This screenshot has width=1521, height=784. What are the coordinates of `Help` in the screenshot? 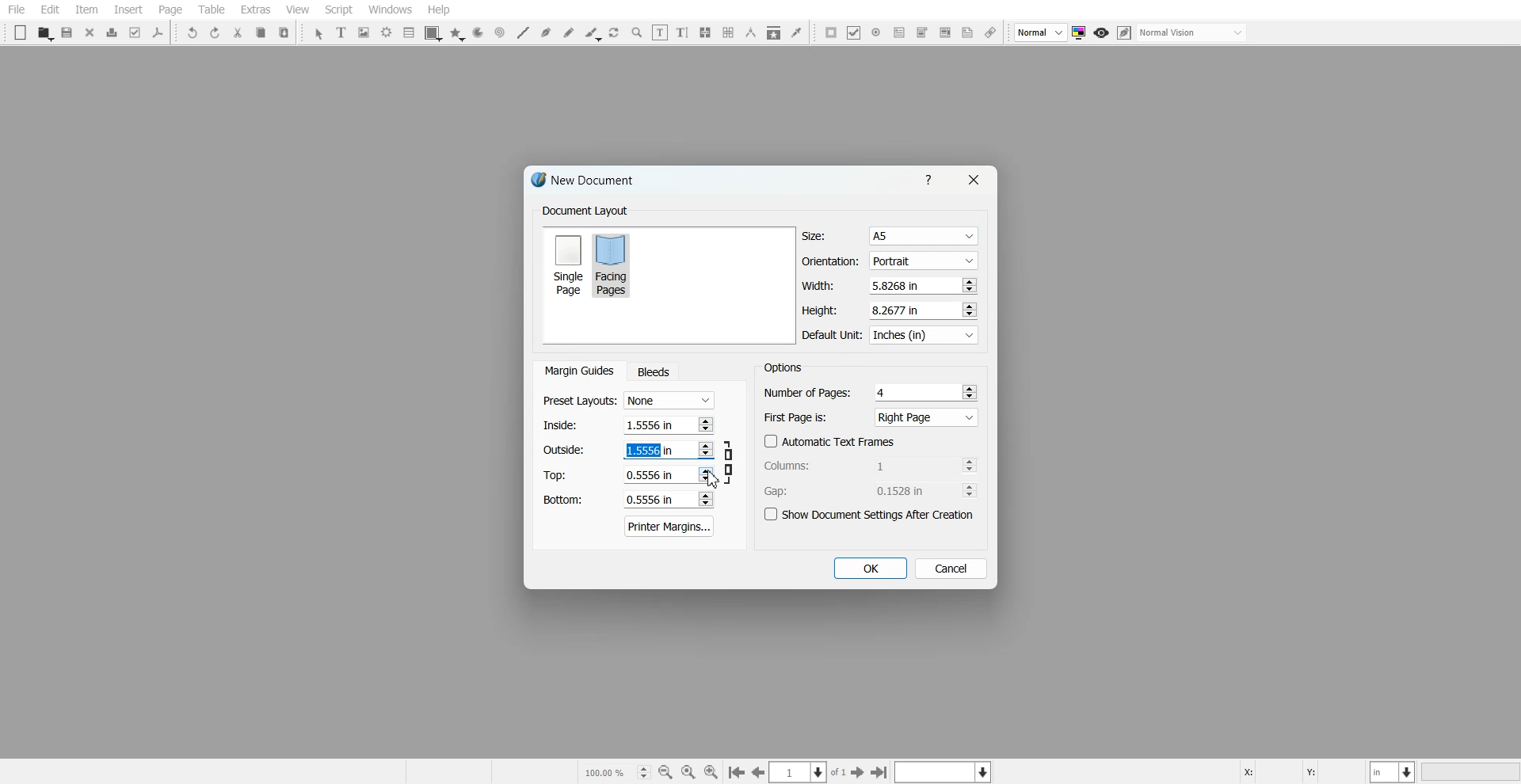 It's located at (932, 179).